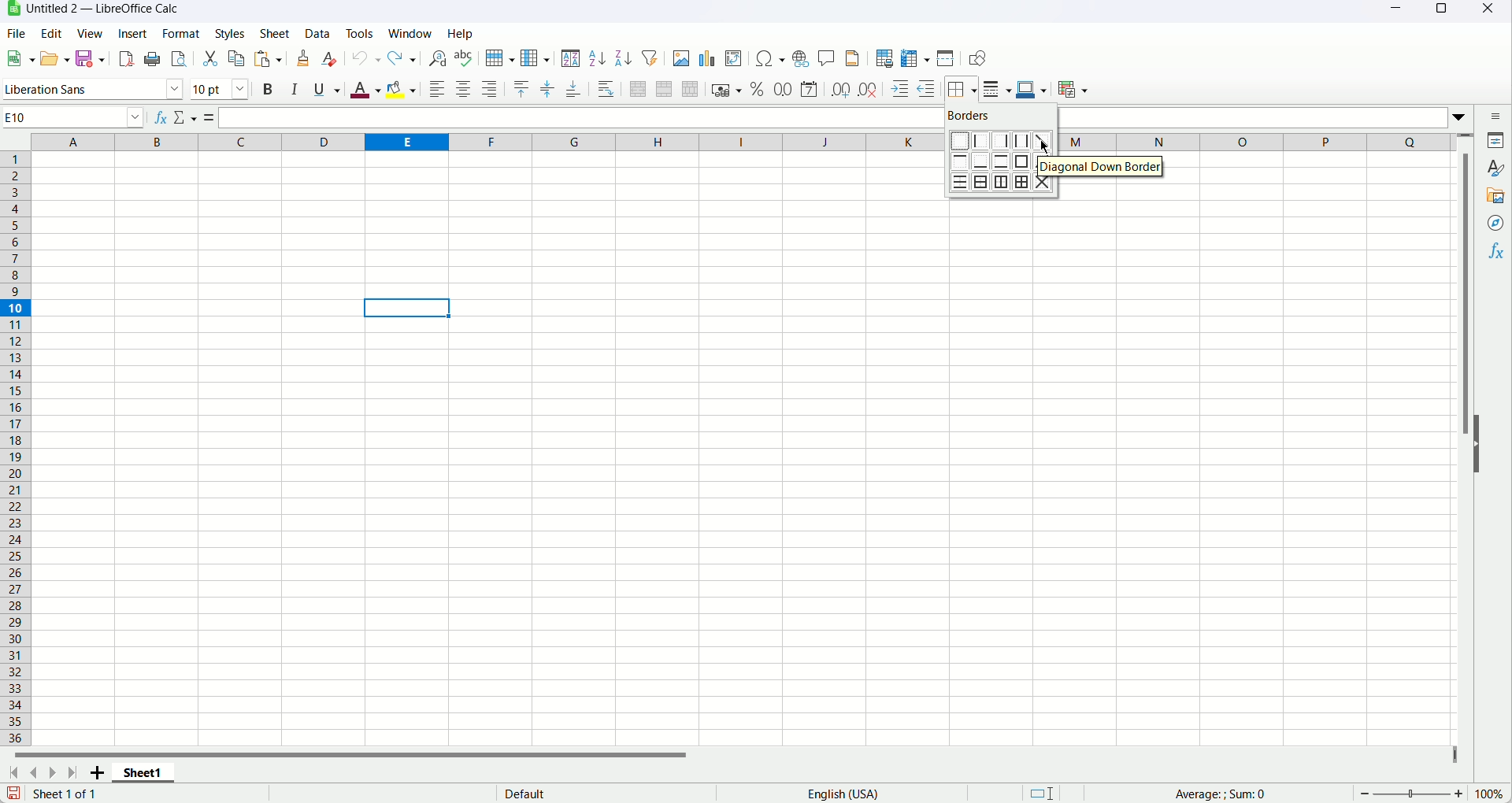  What do you see at coordinates (461, 33) in the screenshot?
I see `Help` at bounding box center [461, 33].